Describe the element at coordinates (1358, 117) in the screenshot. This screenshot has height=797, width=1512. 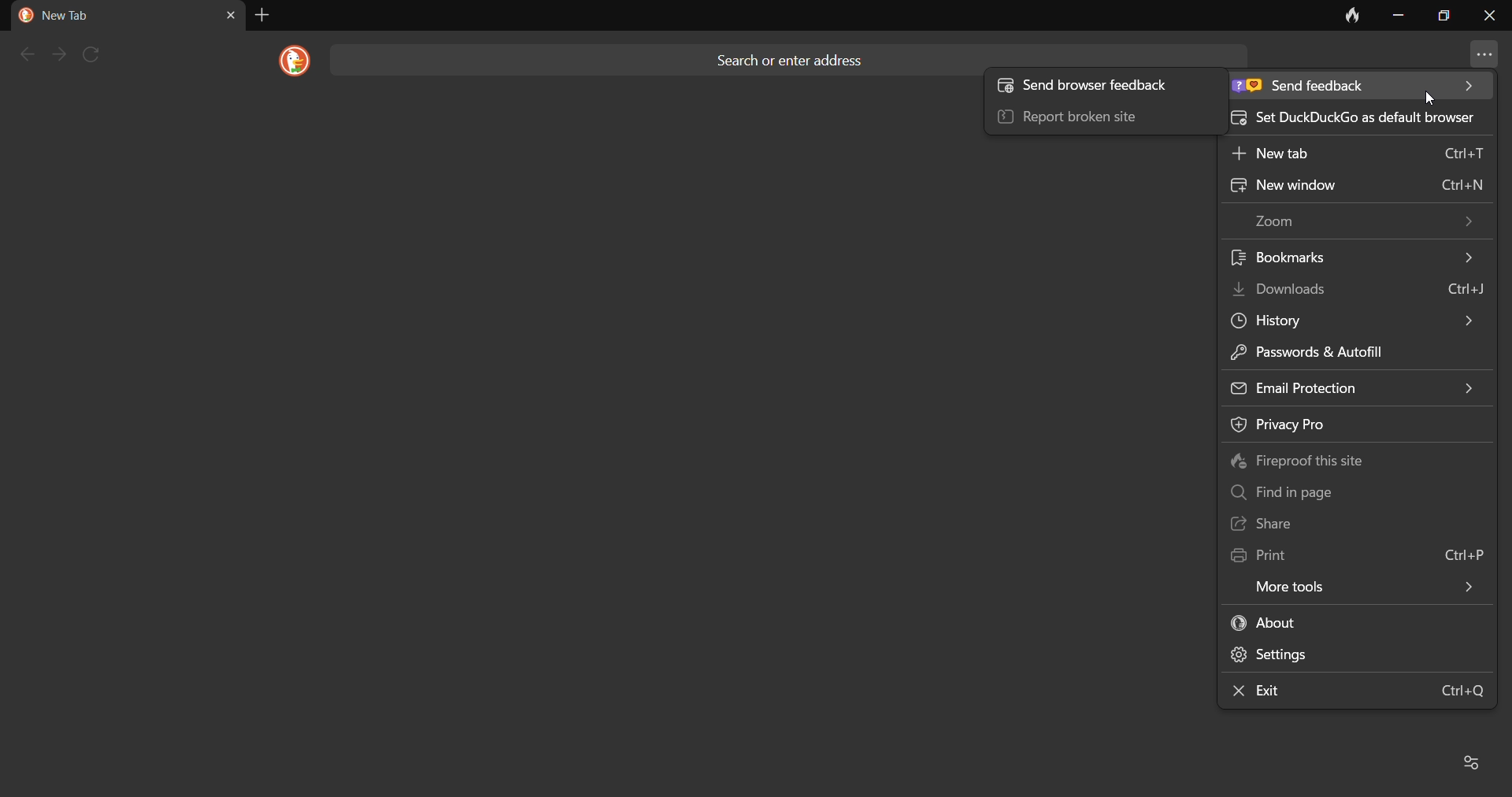
I see `set DuckDuckGo as default broswer` at that location.